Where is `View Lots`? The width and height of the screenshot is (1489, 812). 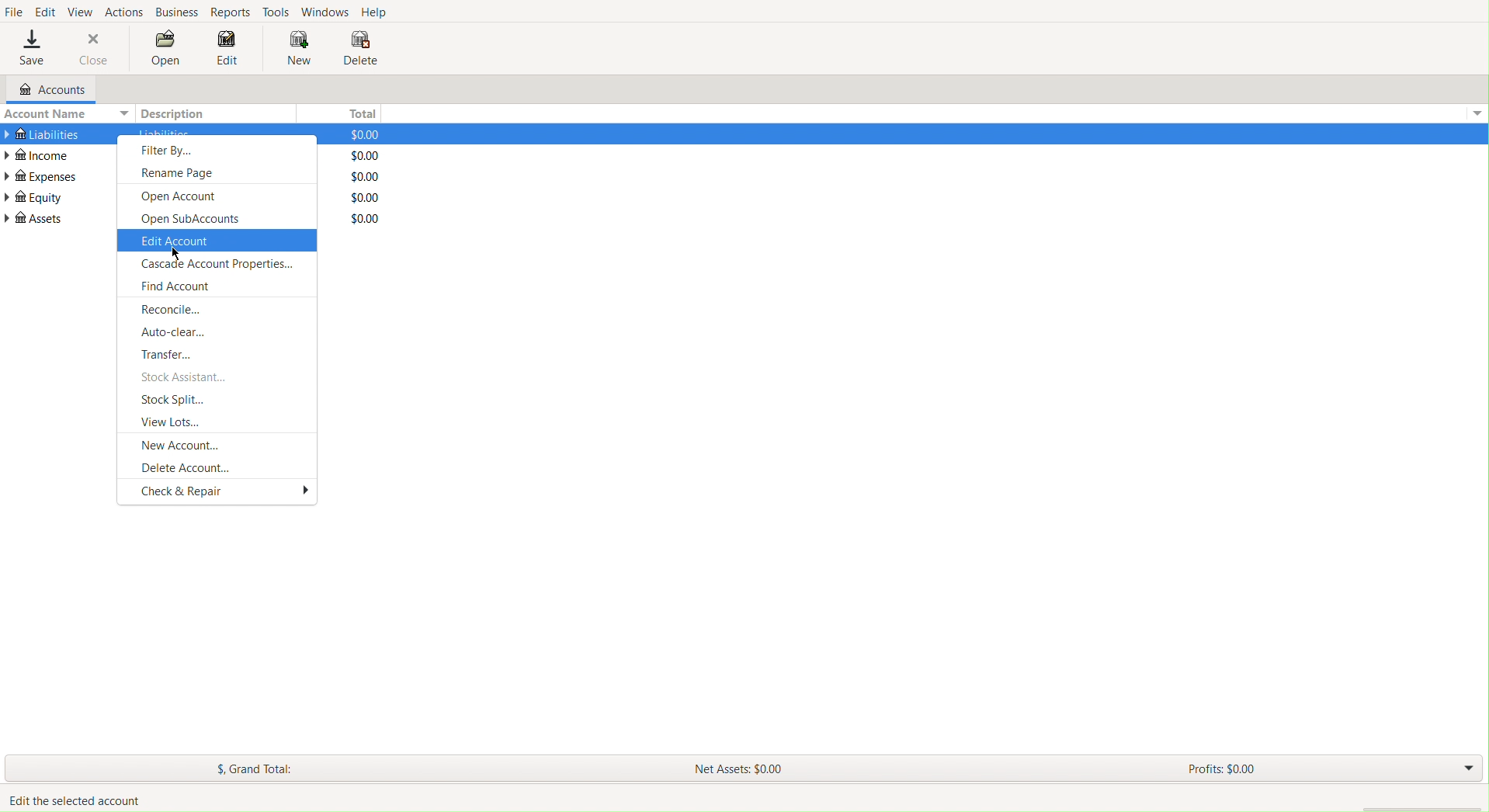
View Lots is located at coordinates (174, 421).